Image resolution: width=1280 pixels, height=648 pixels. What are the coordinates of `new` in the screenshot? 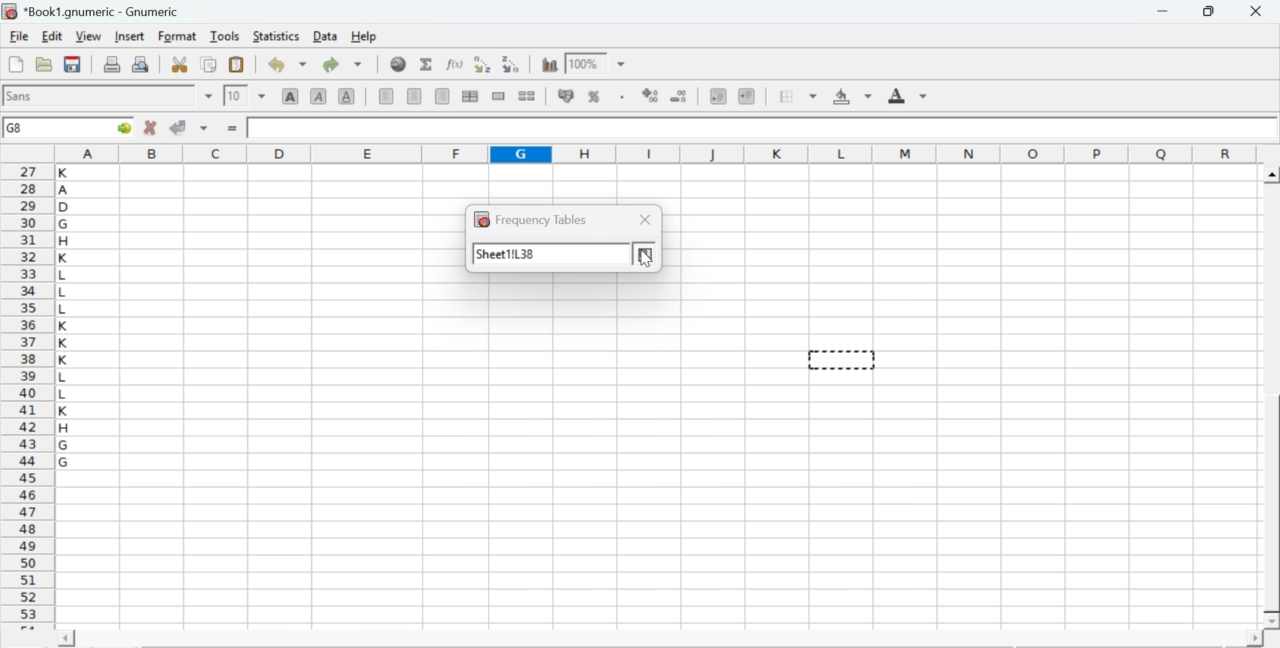 It's located at (15, 64).